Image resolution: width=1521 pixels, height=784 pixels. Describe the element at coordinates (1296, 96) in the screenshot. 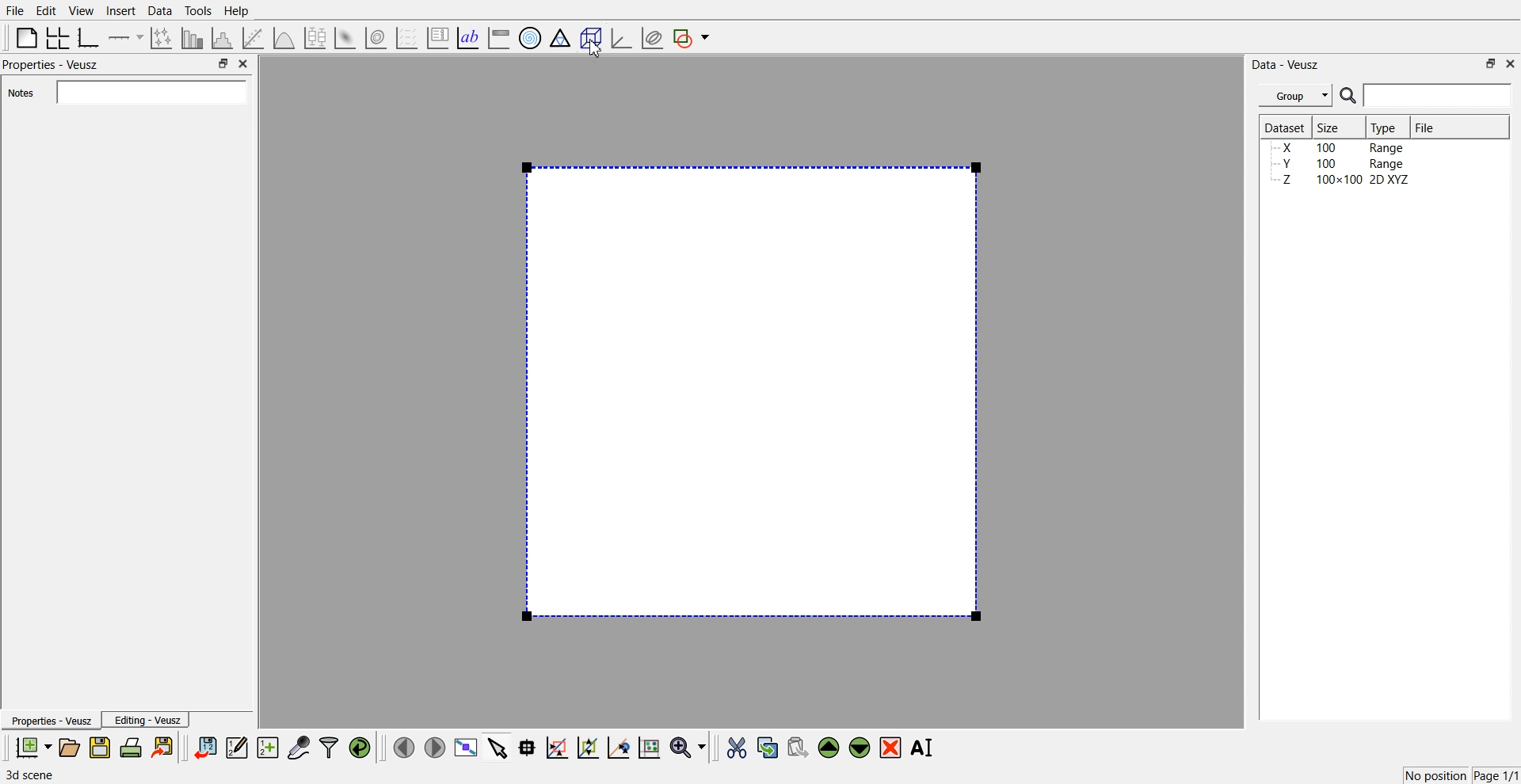

I see `Group` at that location.